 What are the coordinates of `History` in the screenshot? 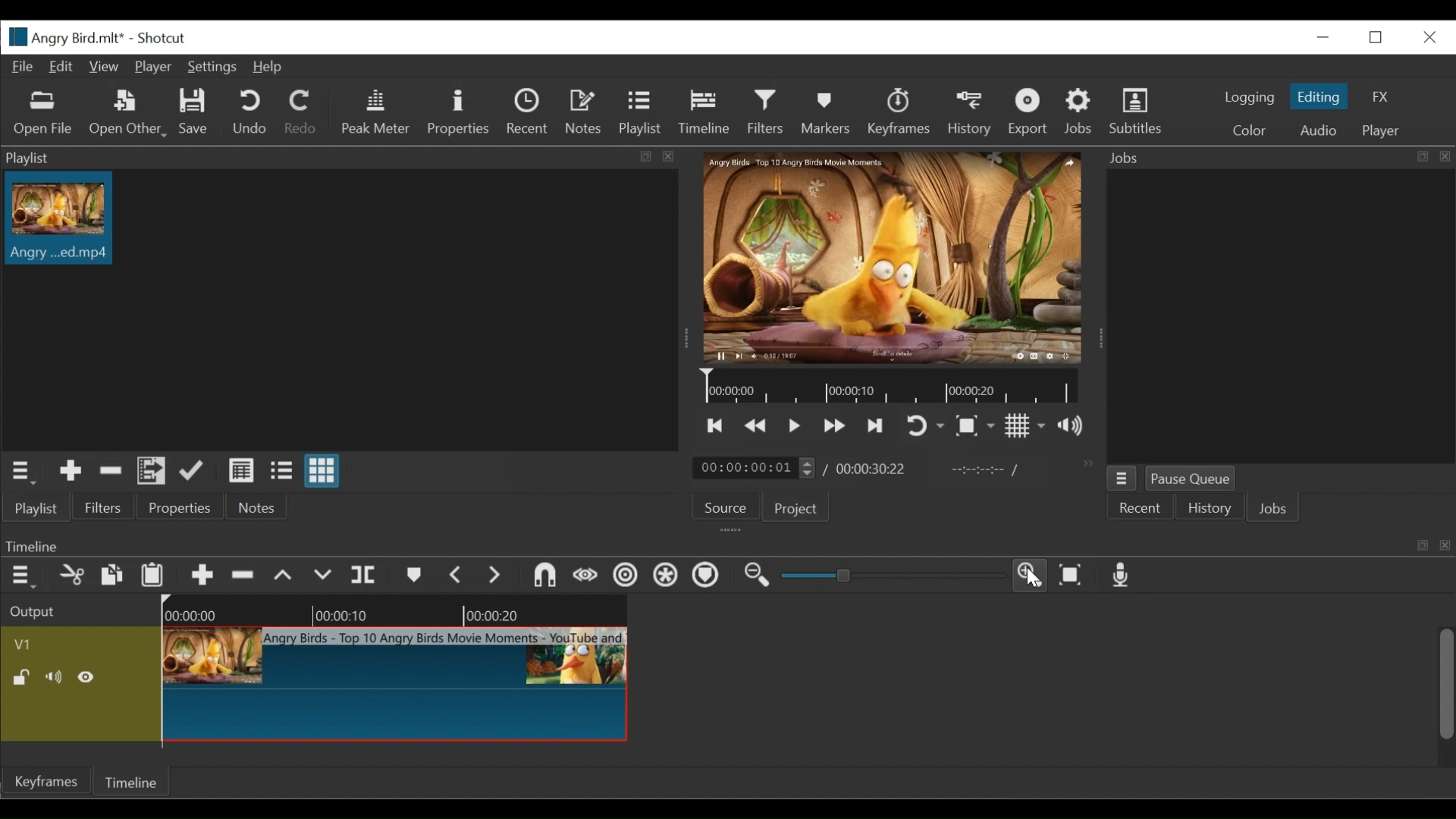 It's located at (971, 113).